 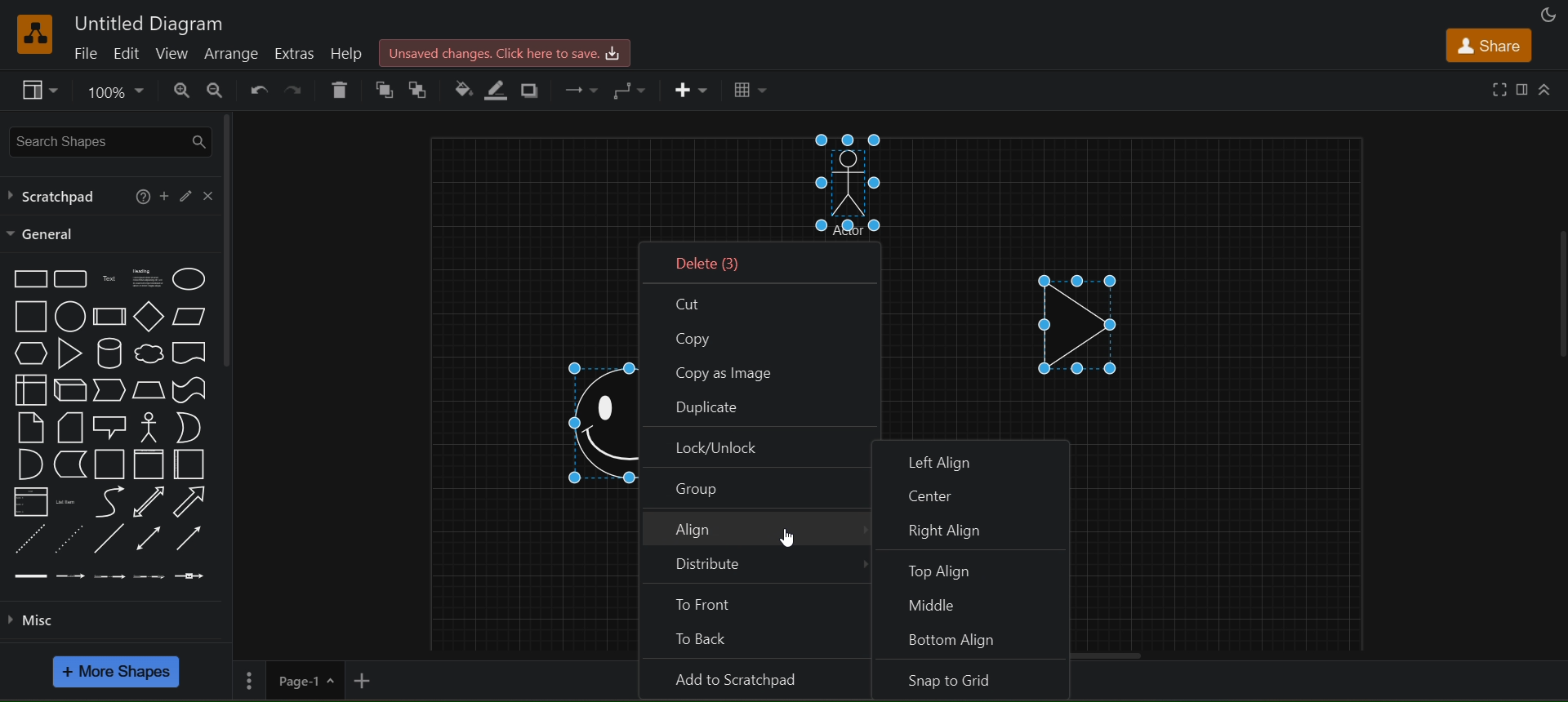 I want to click on tape, so click(x=189, y=389).